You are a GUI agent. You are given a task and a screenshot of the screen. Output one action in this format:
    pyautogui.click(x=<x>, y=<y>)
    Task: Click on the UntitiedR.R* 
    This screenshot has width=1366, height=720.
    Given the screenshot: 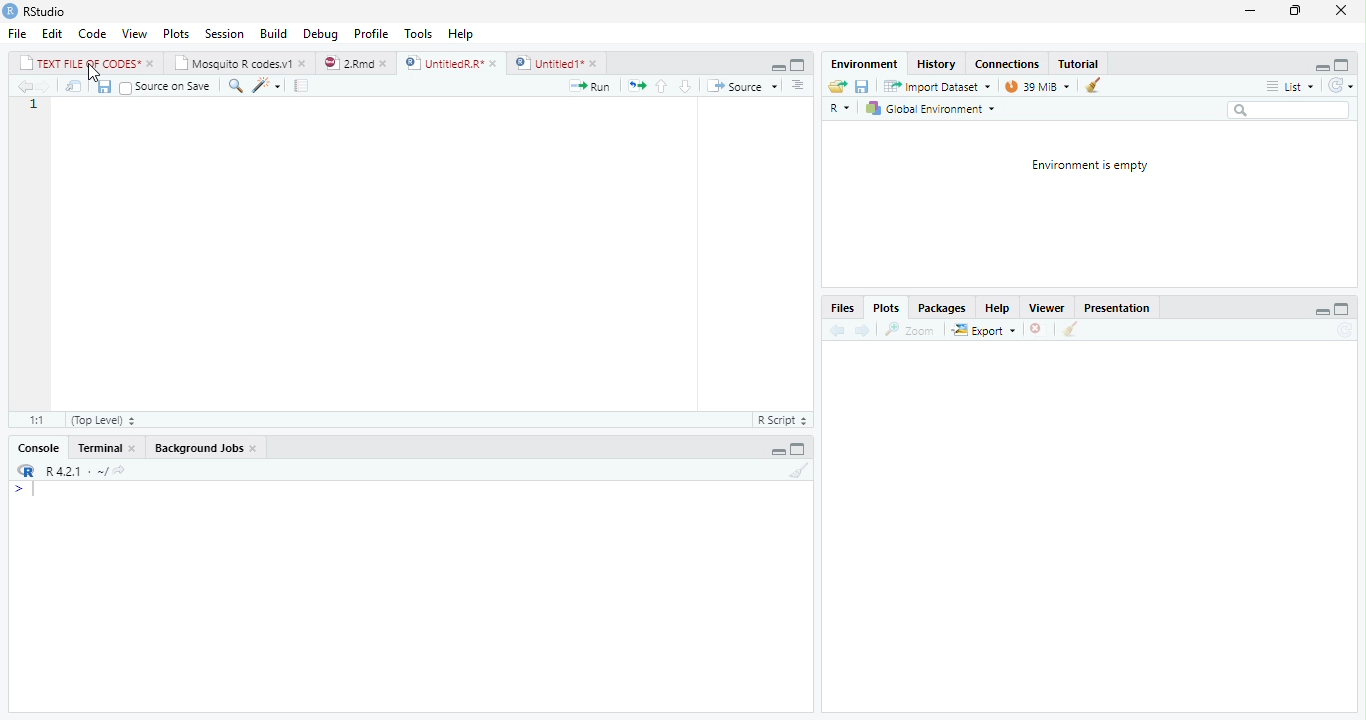 What is the action you would take?
    pyautogui.click(x=451, y=62)
    